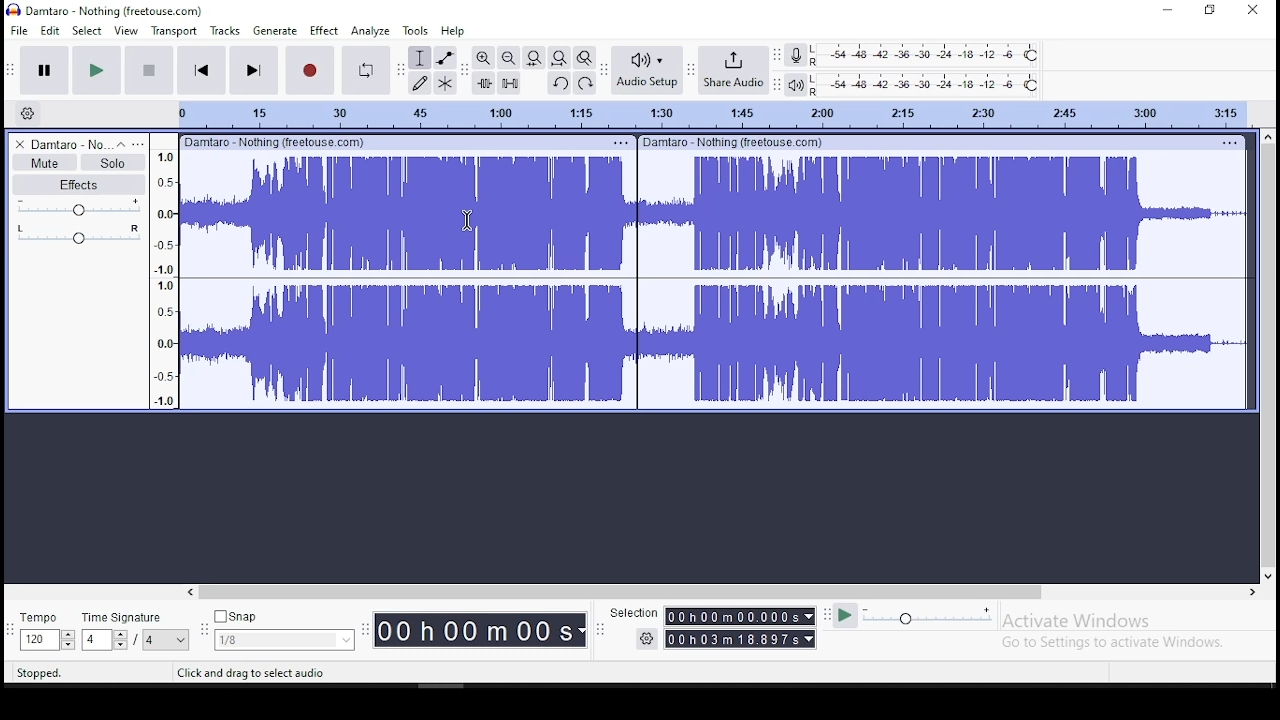 The image size is (1280, 720). Describe the element at coordinates (139, 143) in the screenshot. I see `open menu` at that location.